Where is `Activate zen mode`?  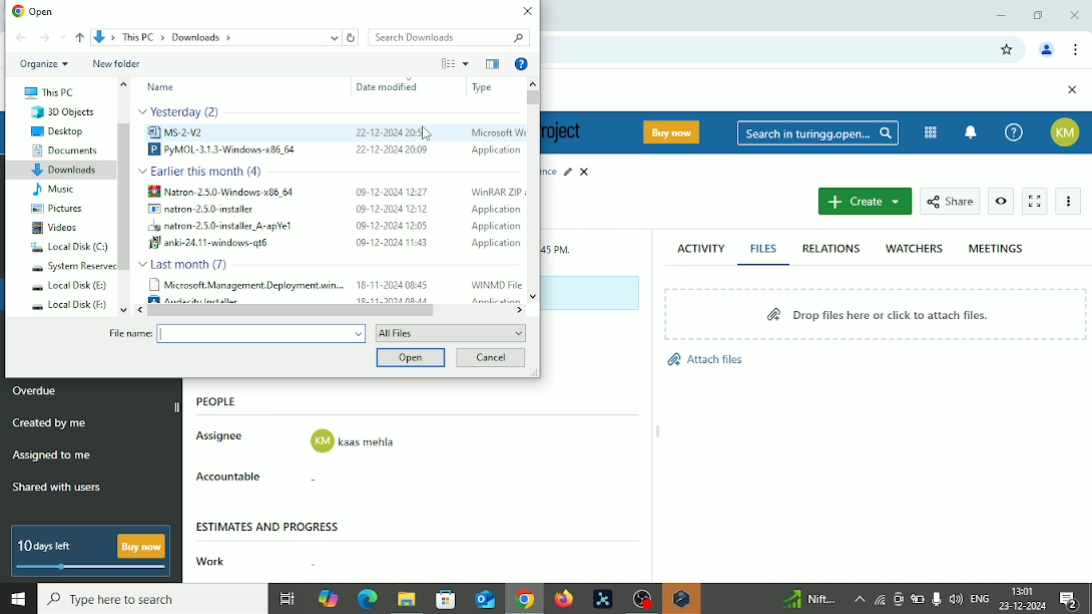
Activate zen mode is located at coordinates (1035, 202).